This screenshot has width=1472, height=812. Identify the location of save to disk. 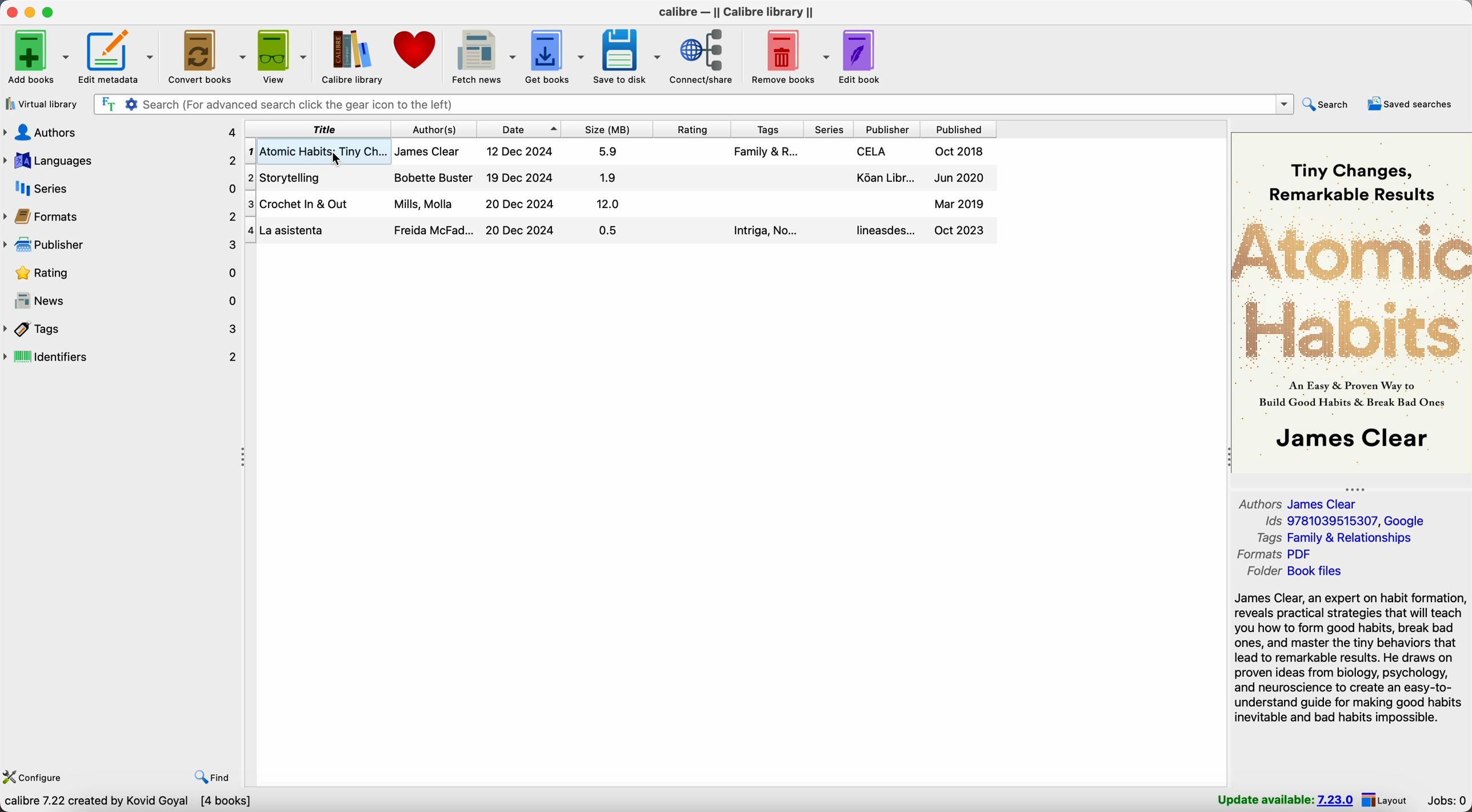
(626, 55).